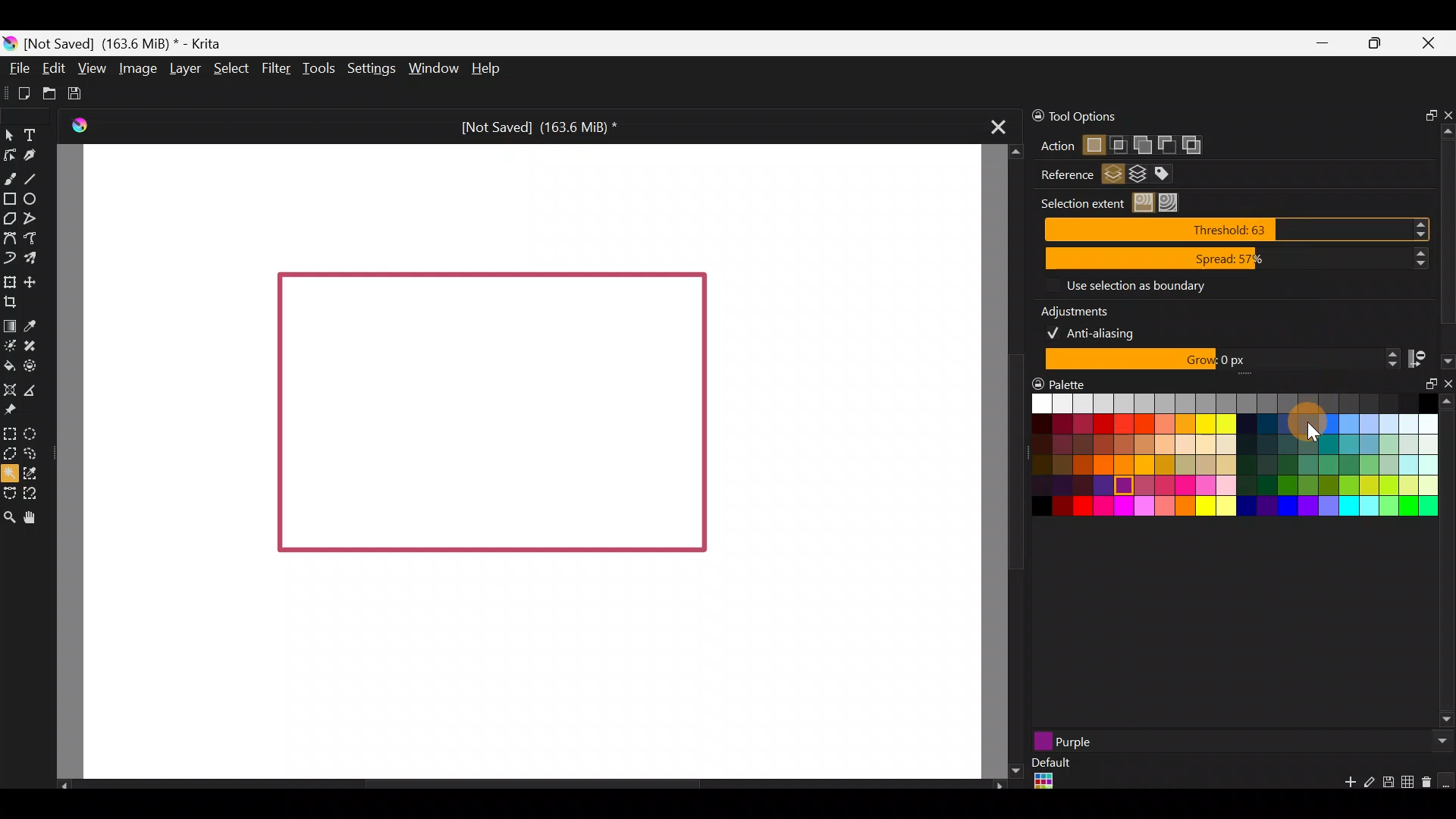  Describe the element at coordinates (1061, 383) in the screenshot. I see `Palette` at that location.